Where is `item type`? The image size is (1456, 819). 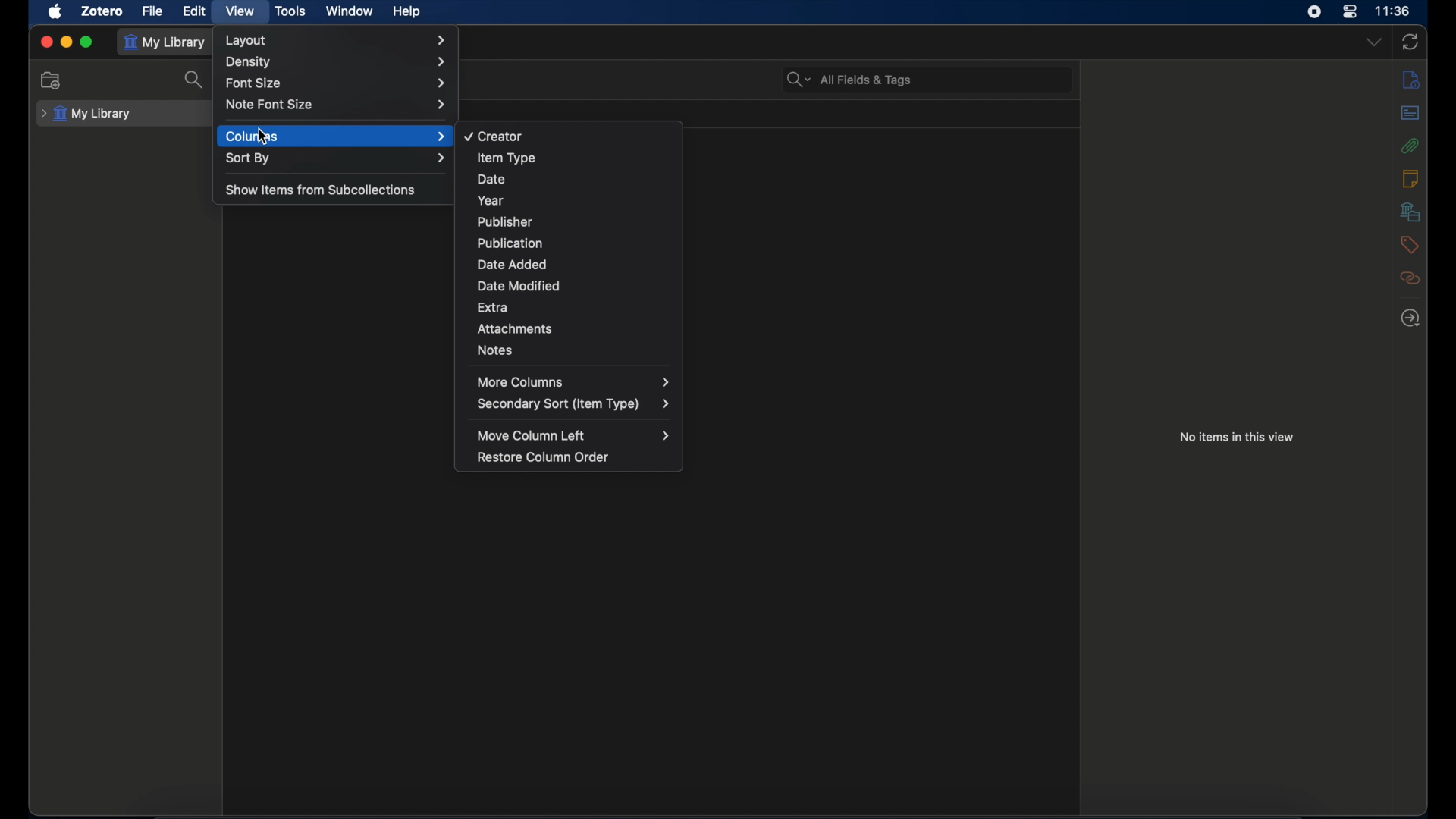 item type is located at coordinates (506, 158).